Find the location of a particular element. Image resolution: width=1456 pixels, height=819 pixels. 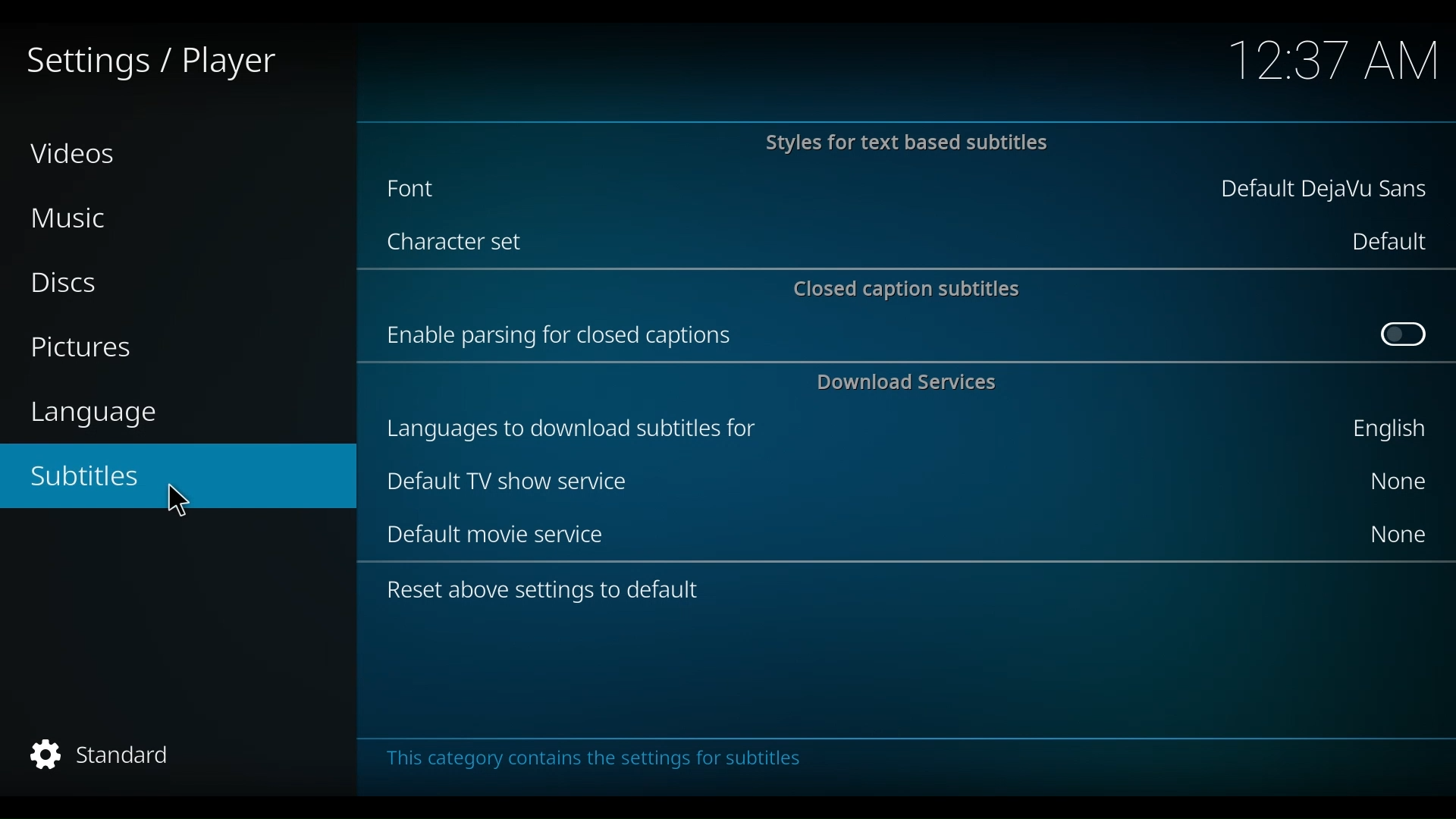

English is located at coordinates (1385, 432).